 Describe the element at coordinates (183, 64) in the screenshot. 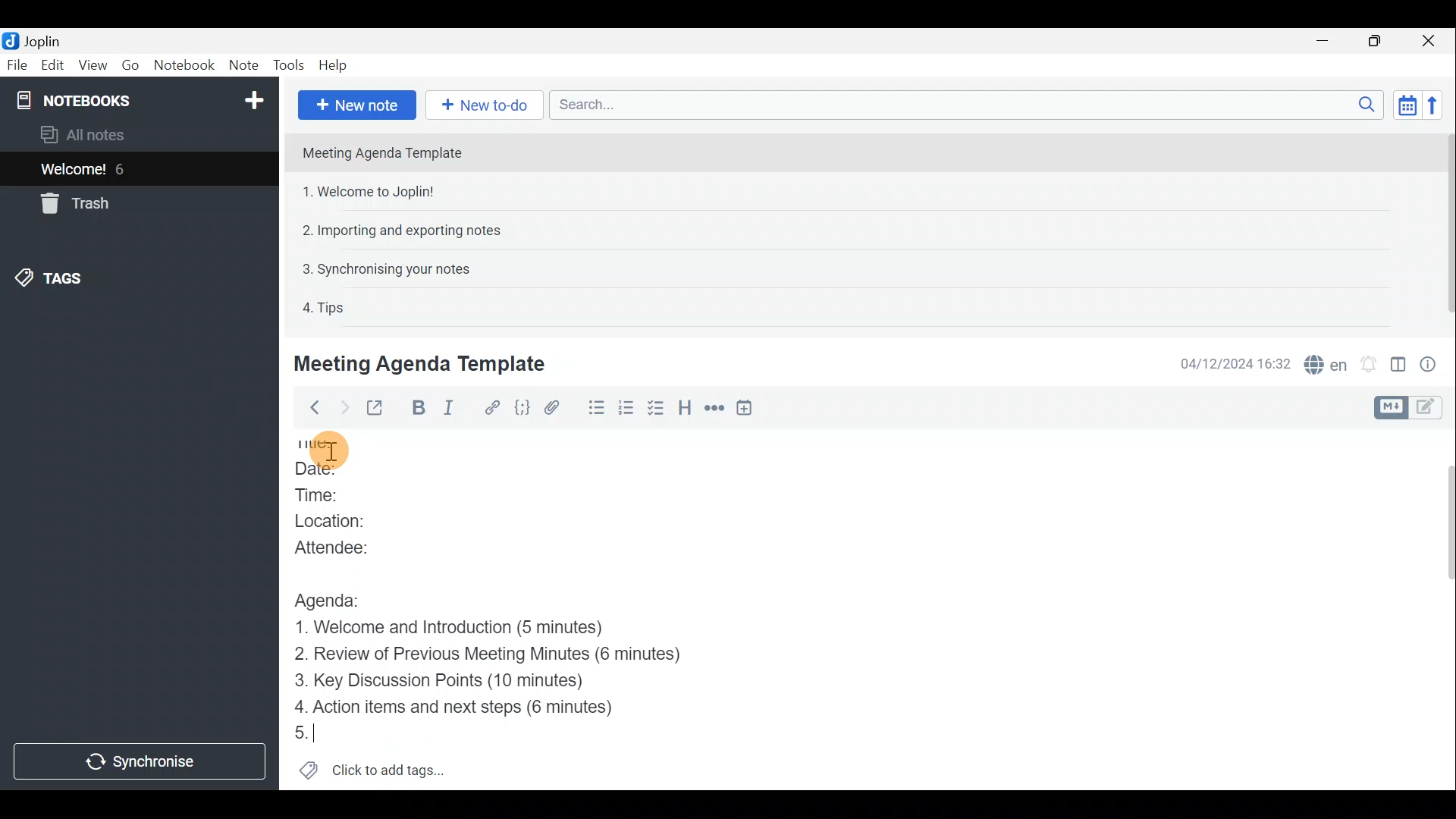

I see `Notebook` at that location.